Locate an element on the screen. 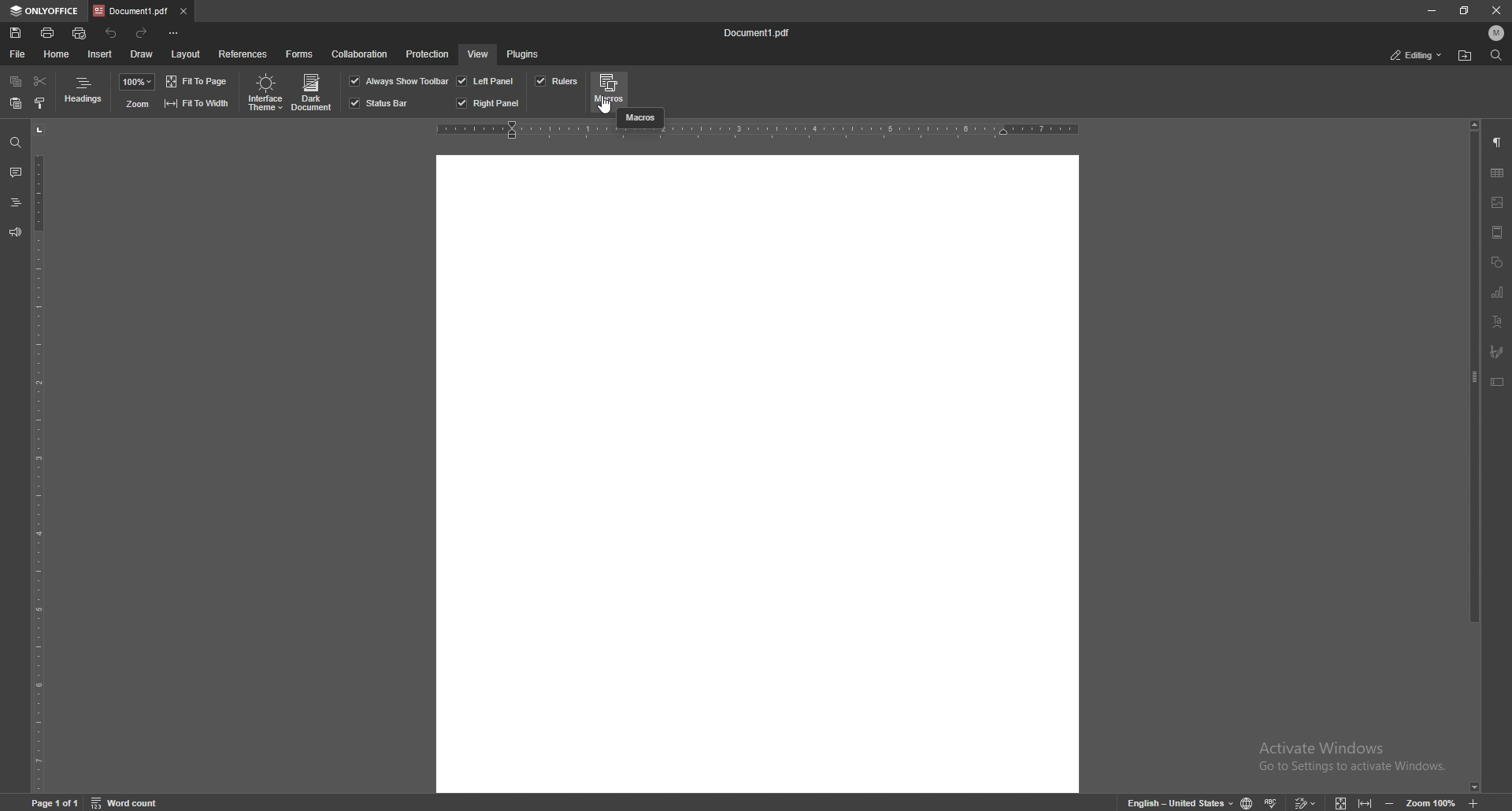  plugins is located at coordinates (524, 54).